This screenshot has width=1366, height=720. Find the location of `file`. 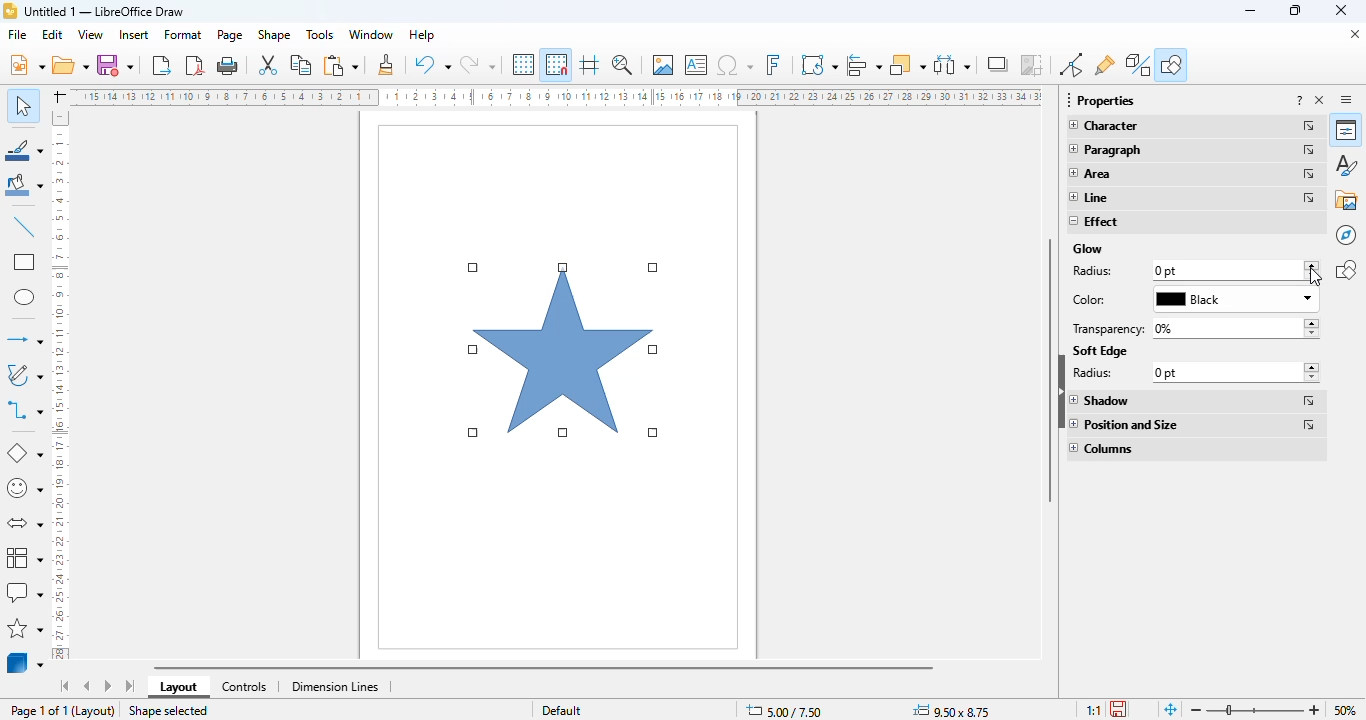

file is located at coordinates (18, 34).